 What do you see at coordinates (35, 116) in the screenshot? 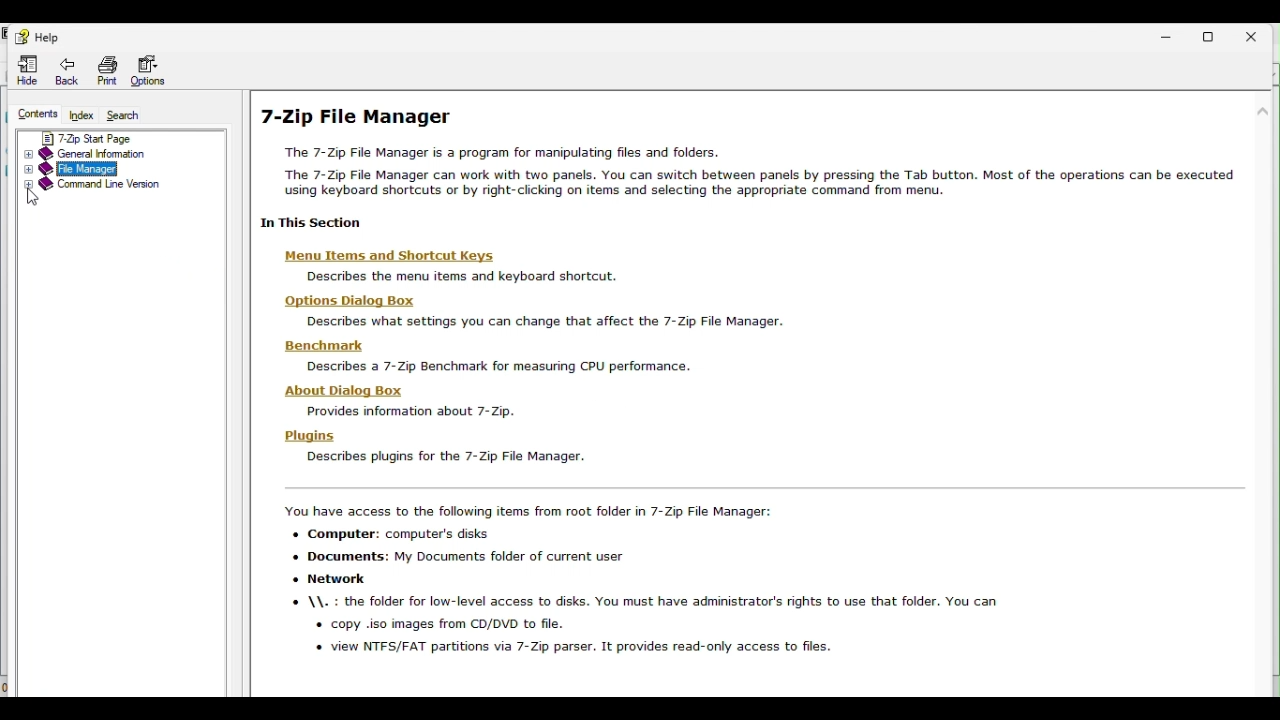
I see `Contents` at bounding box center [35, 116].